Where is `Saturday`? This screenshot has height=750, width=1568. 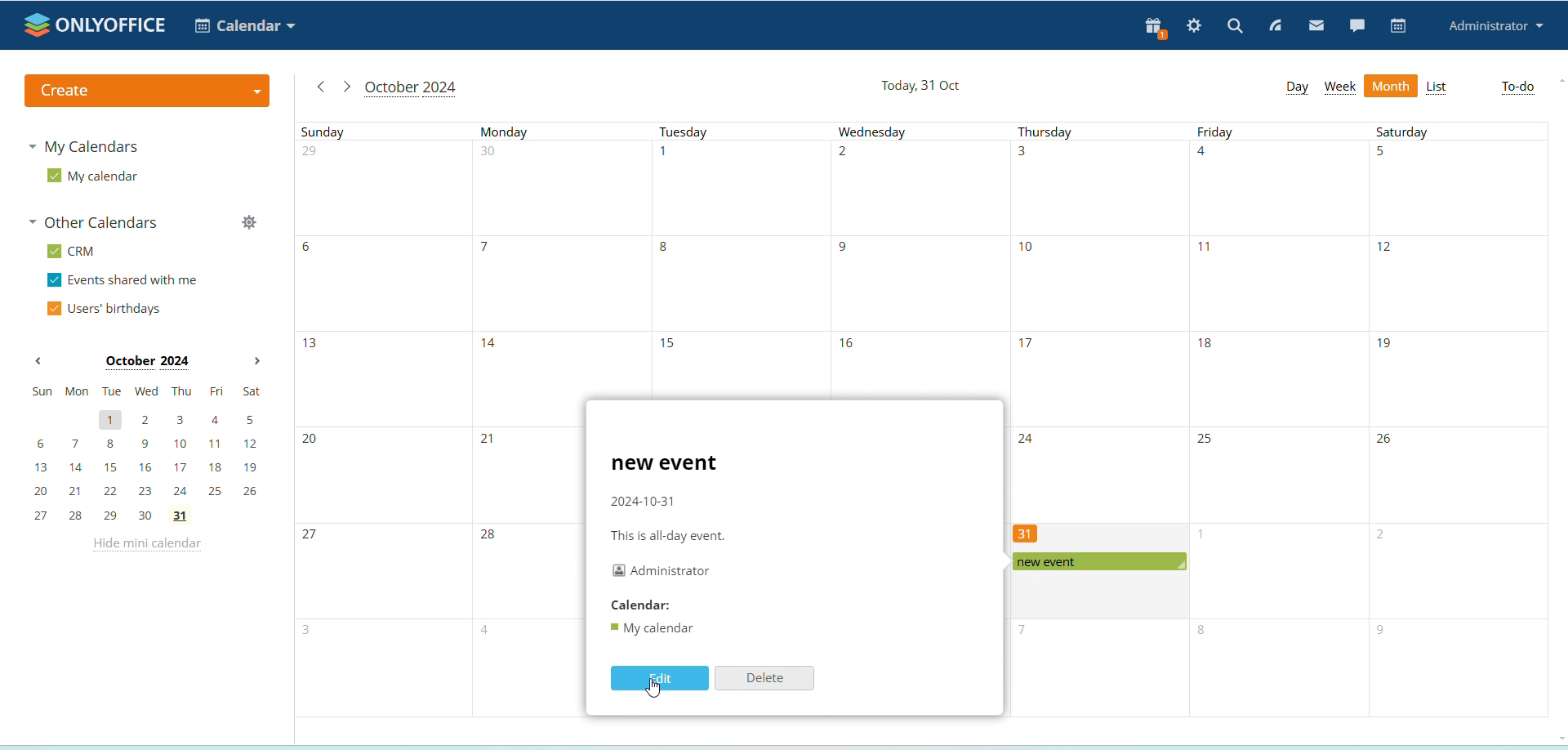
Saturday is located at coordinates (1459, 419).